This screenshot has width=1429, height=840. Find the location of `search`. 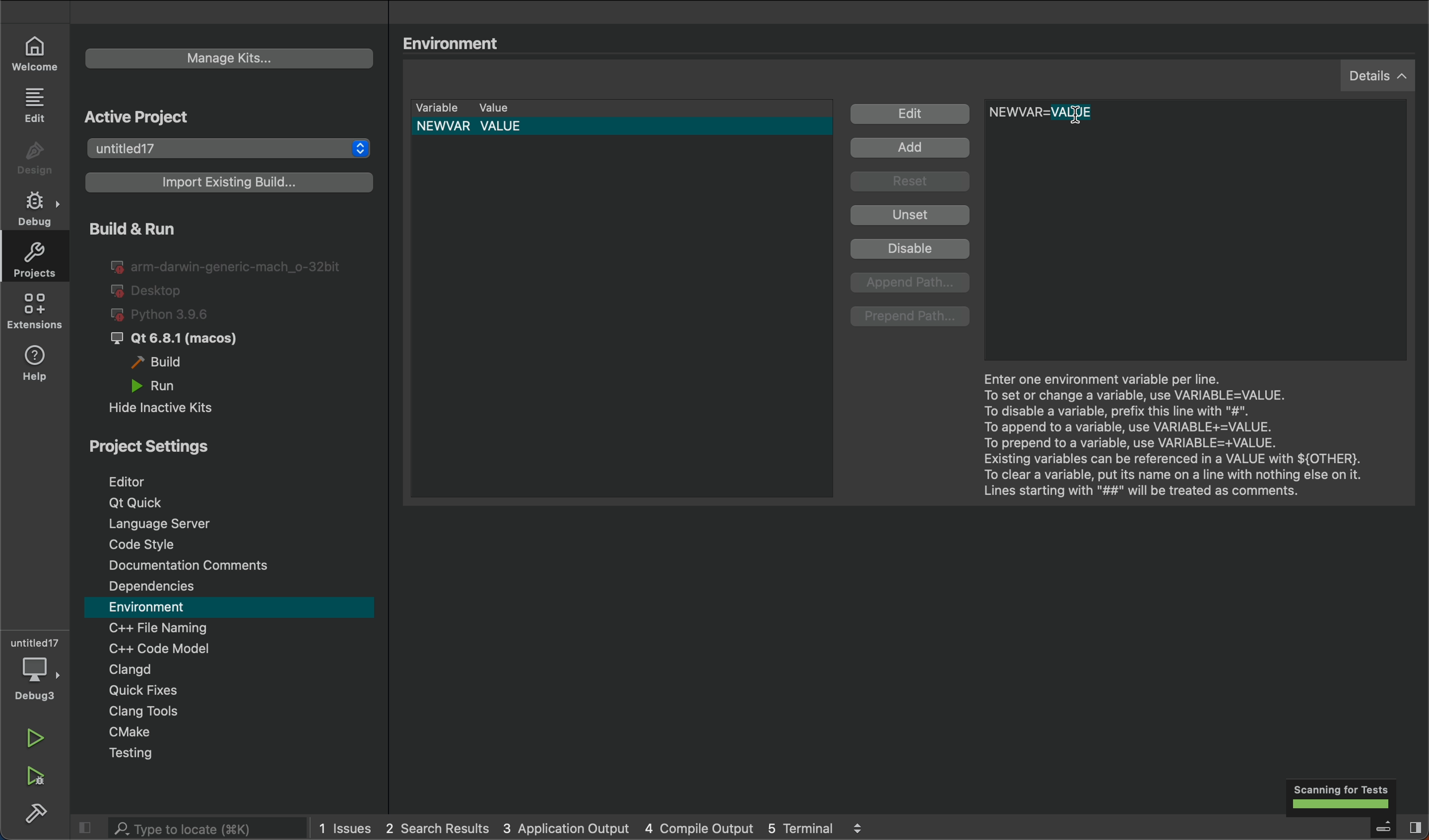

search is located at coordinates (184, 828).